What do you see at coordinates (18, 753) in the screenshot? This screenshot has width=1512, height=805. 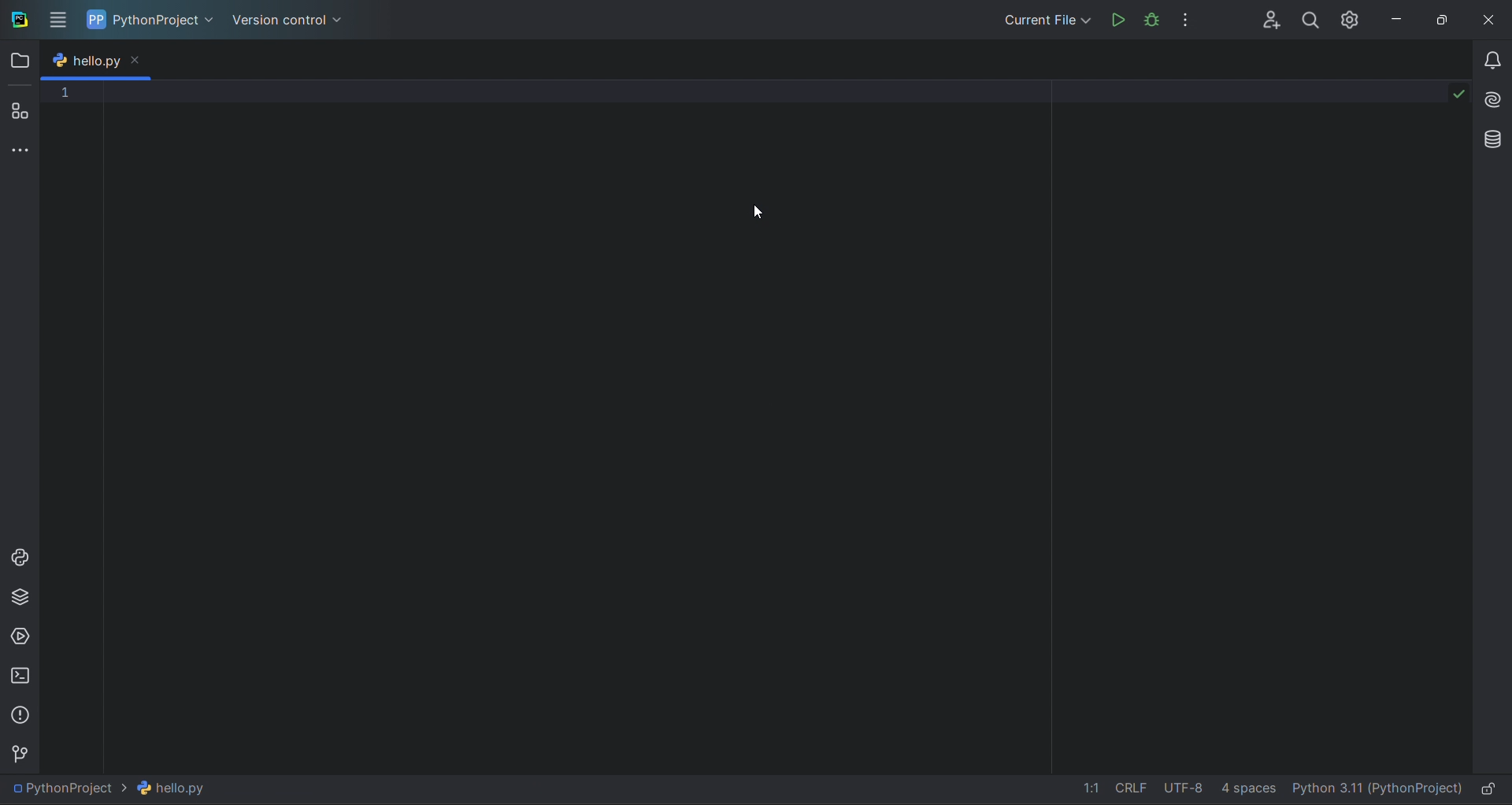 I see `version control` at bounding box center [18, 753].